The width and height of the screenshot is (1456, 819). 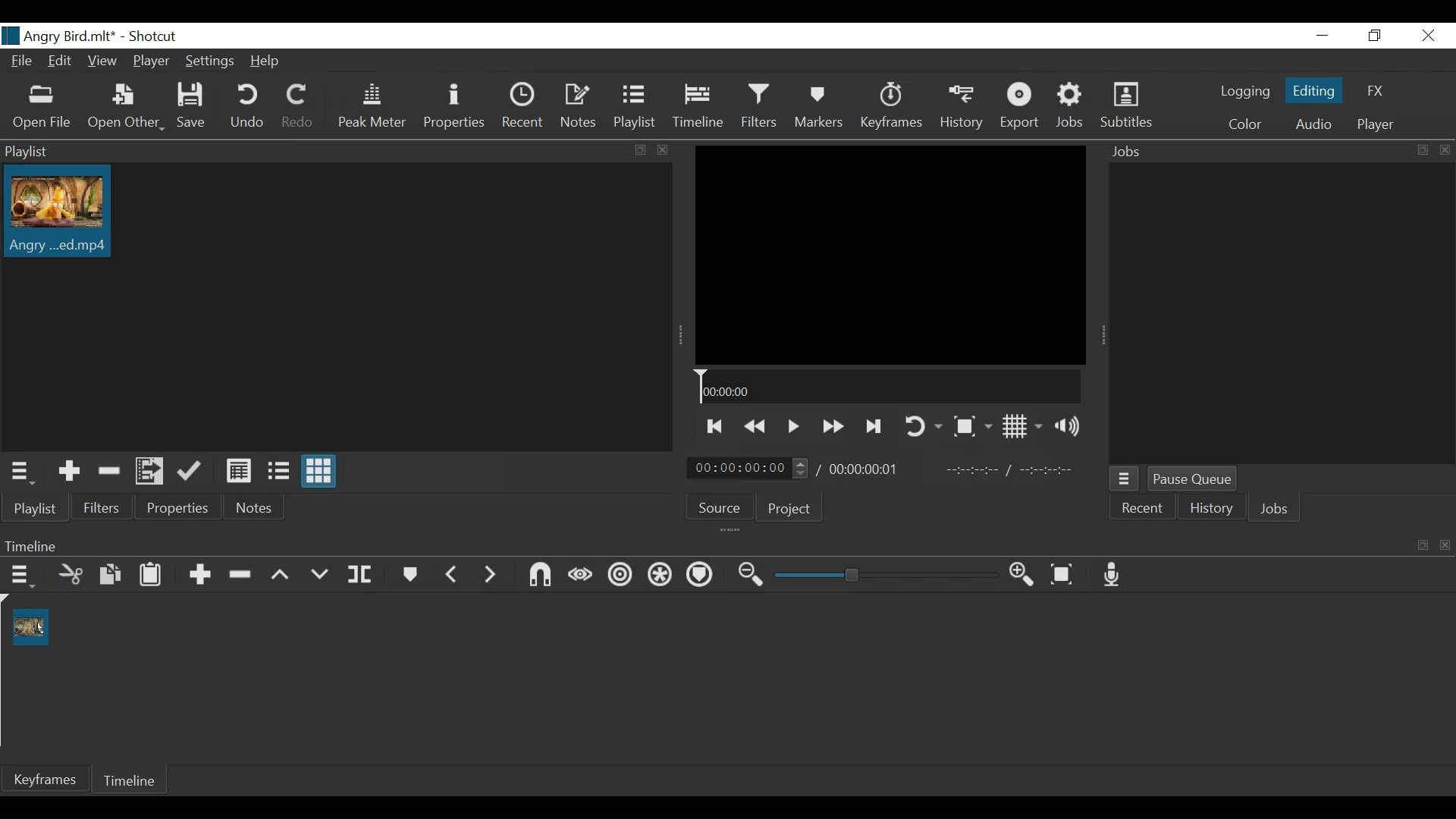 I want to click on Restore, so click(x=1373, y=36).